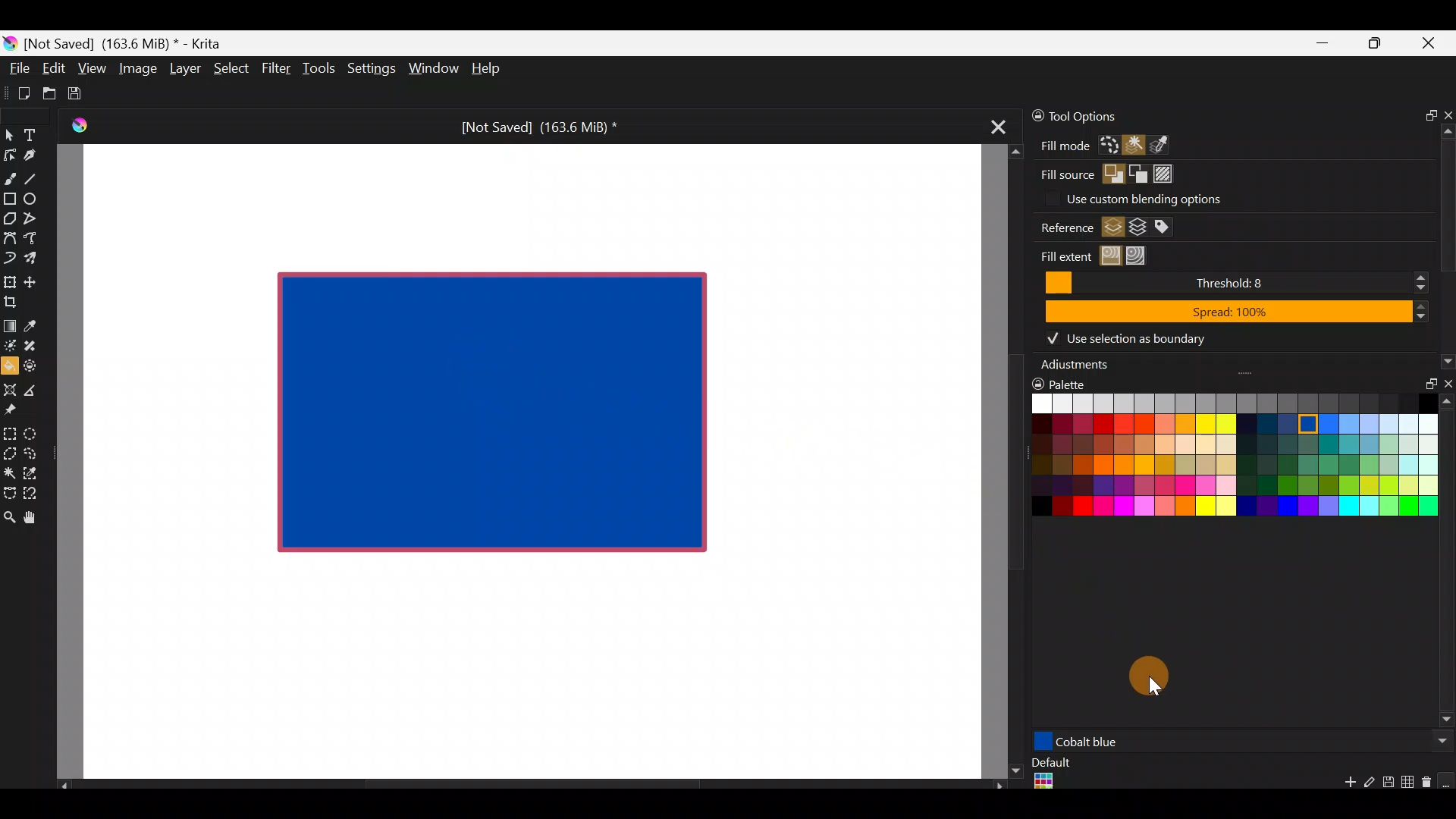  Describe the element at coordinates (1111, 256) in the screenshot. I see `Fill regions similar in color to the clicked region` at that location.